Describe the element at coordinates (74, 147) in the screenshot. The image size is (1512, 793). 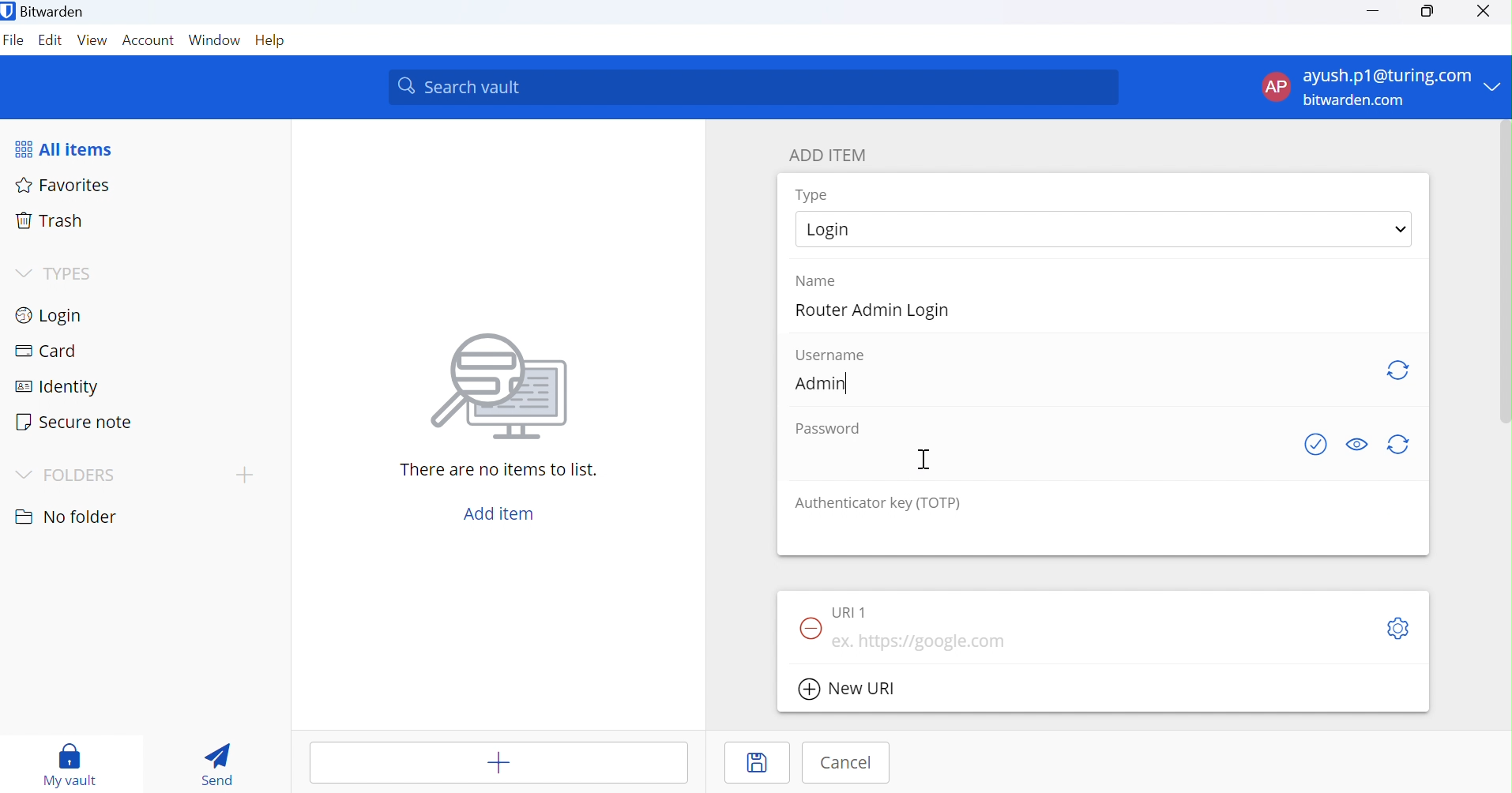
I see `All items` at that location.